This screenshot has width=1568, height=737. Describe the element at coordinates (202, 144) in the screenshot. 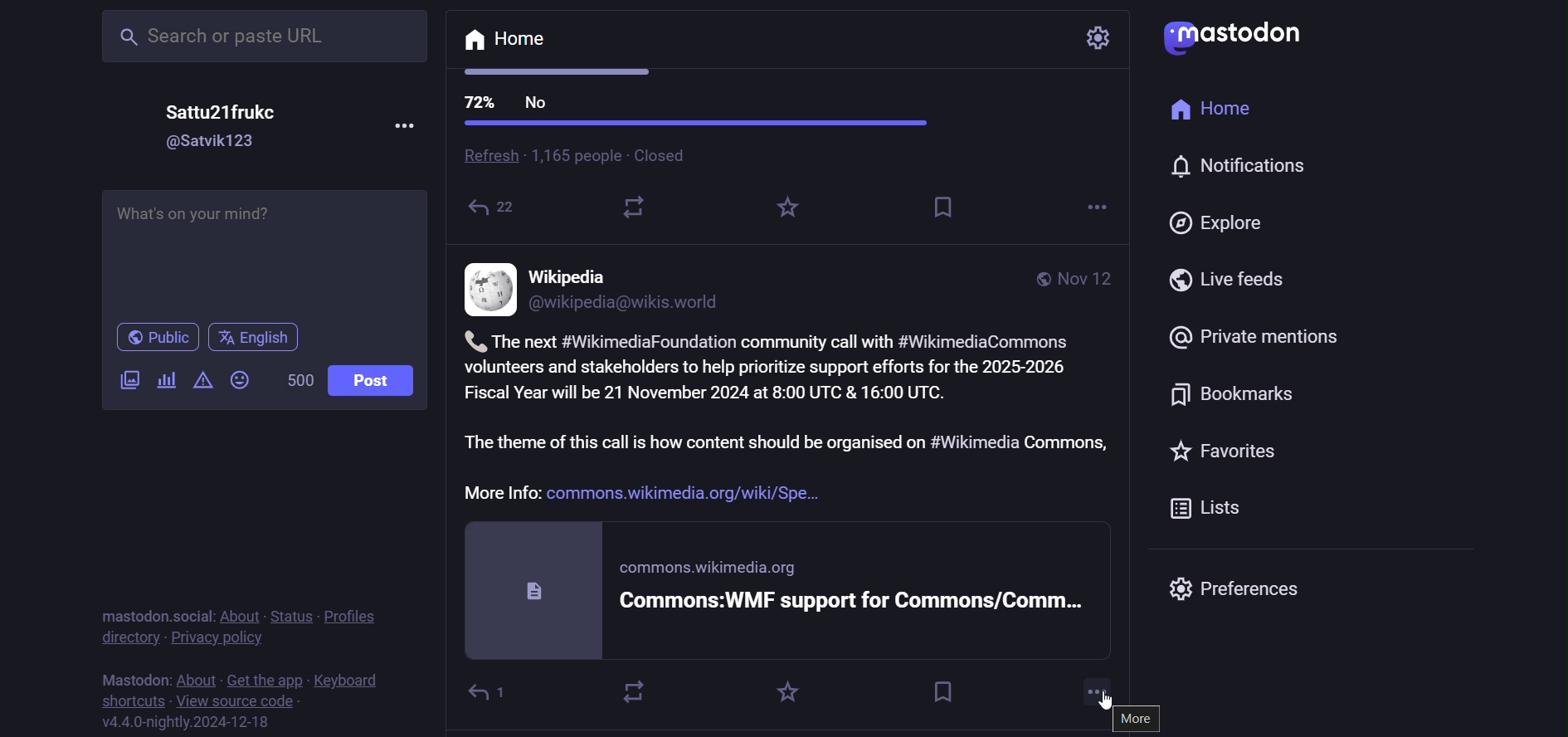

I see `id` at that location.